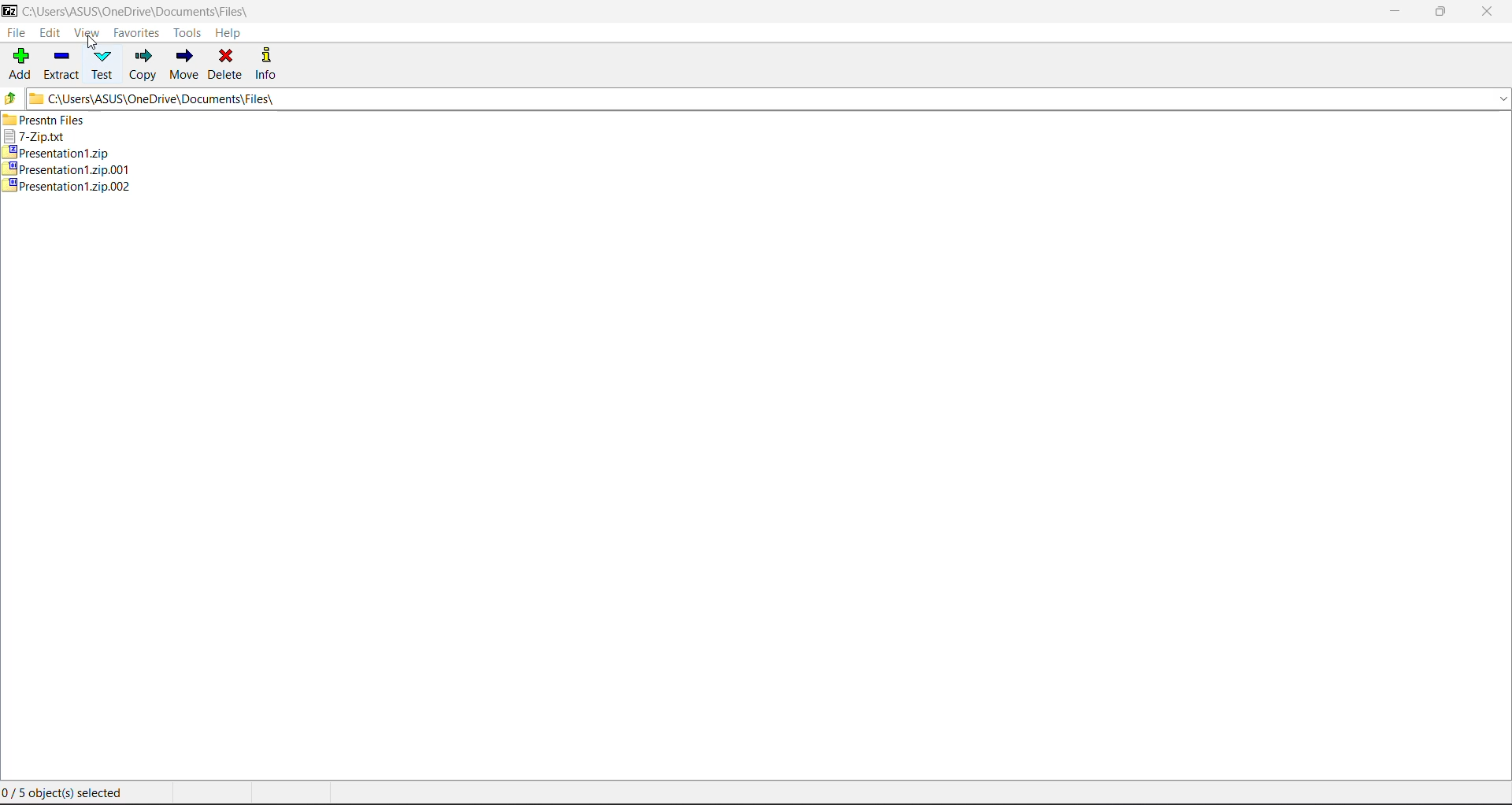  Describe the element at coordinates (53, 34) in the screenshot. I see `Edit` at that location.